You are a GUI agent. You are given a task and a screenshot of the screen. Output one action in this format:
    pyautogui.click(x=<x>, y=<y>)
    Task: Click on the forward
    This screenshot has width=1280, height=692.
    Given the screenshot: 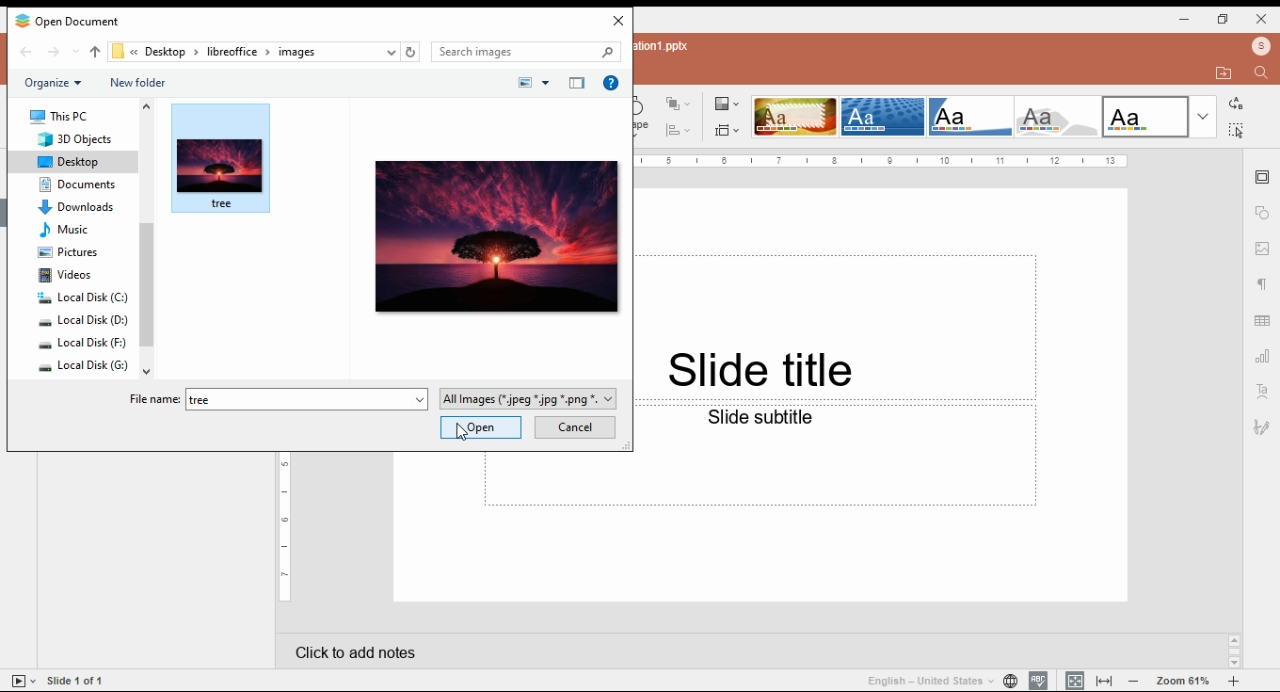 What is the action you would take?
    pyautogui.click(x=63, y=51)
    